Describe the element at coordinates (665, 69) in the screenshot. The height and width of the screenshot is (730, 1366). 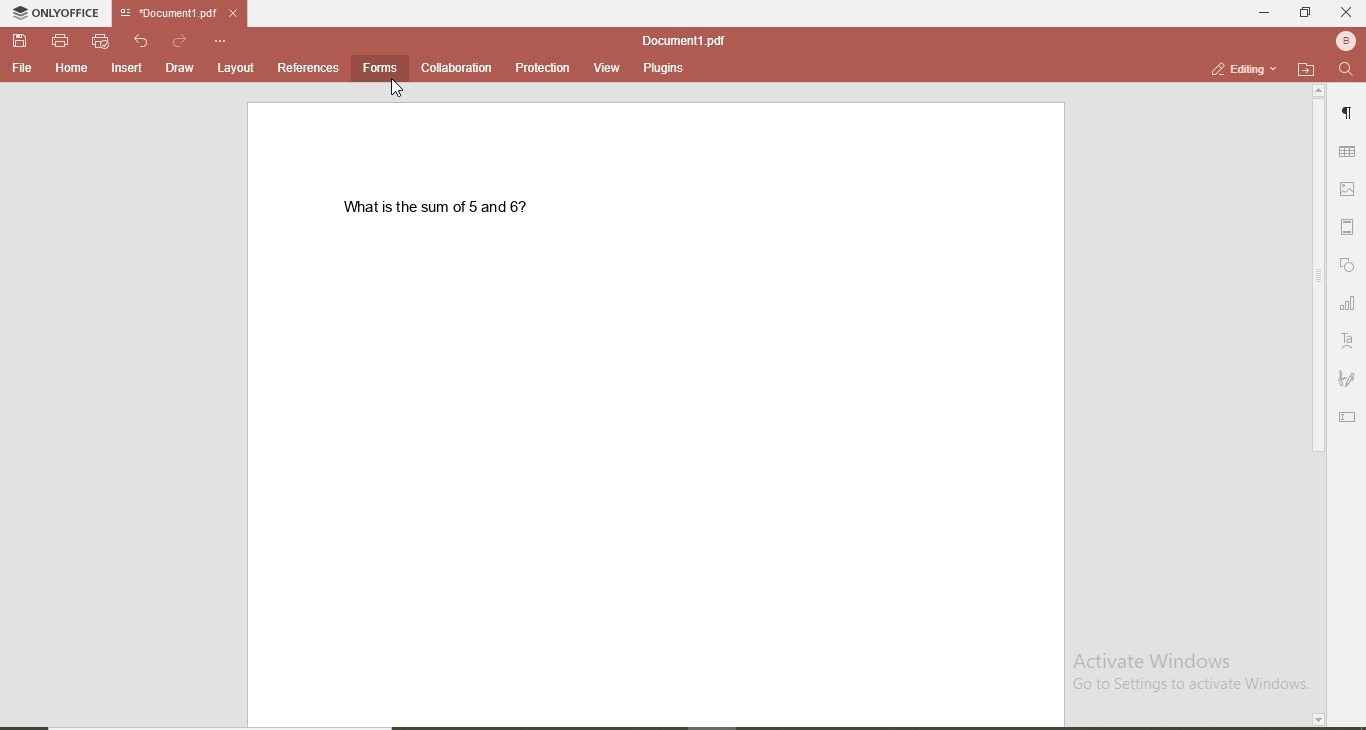
I see `plugins` at that location.